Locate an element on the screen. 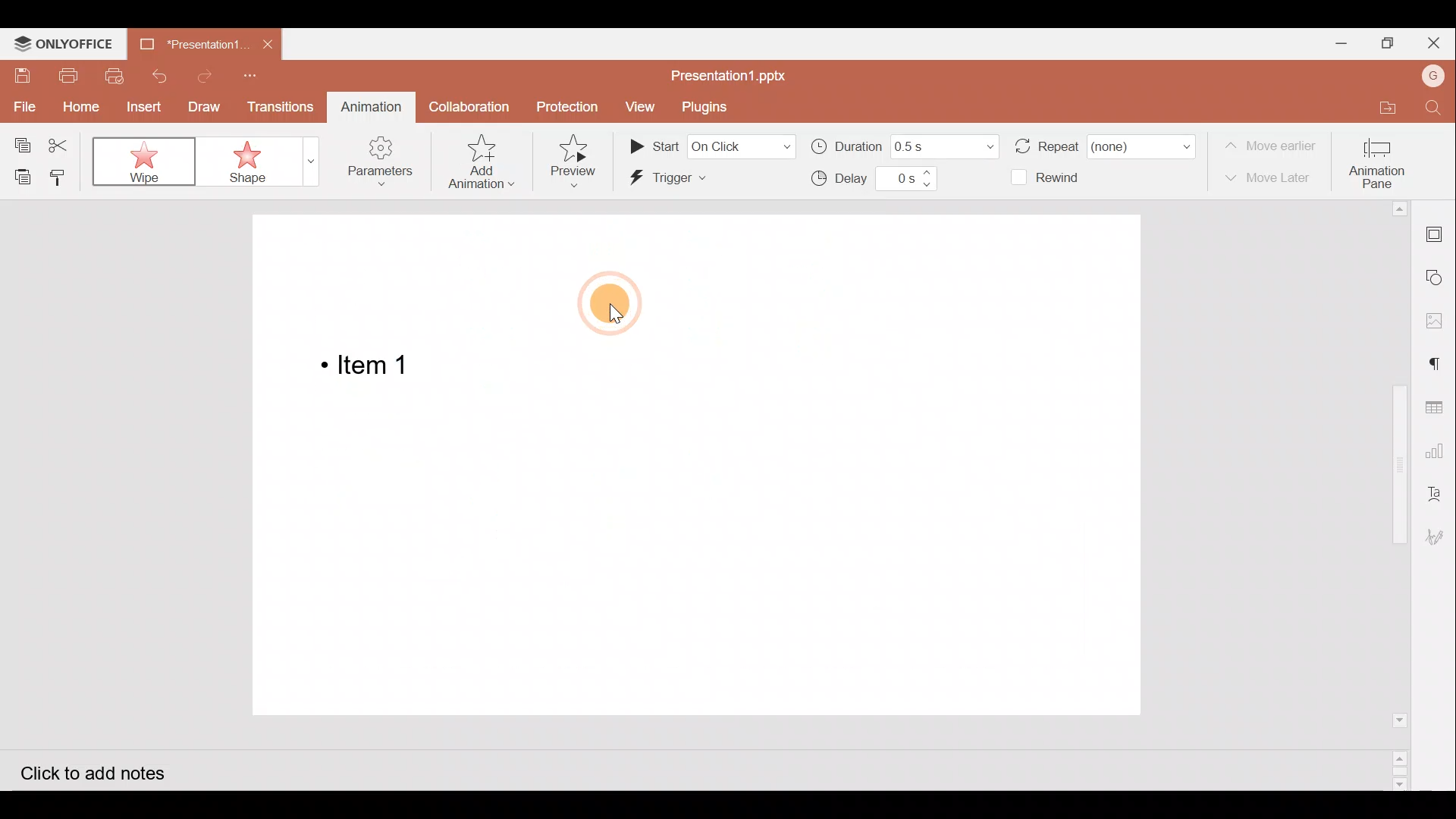 The height and width of the screenshot is (819, 1456). Paragraph setting is located at coordinates (1442, 366).